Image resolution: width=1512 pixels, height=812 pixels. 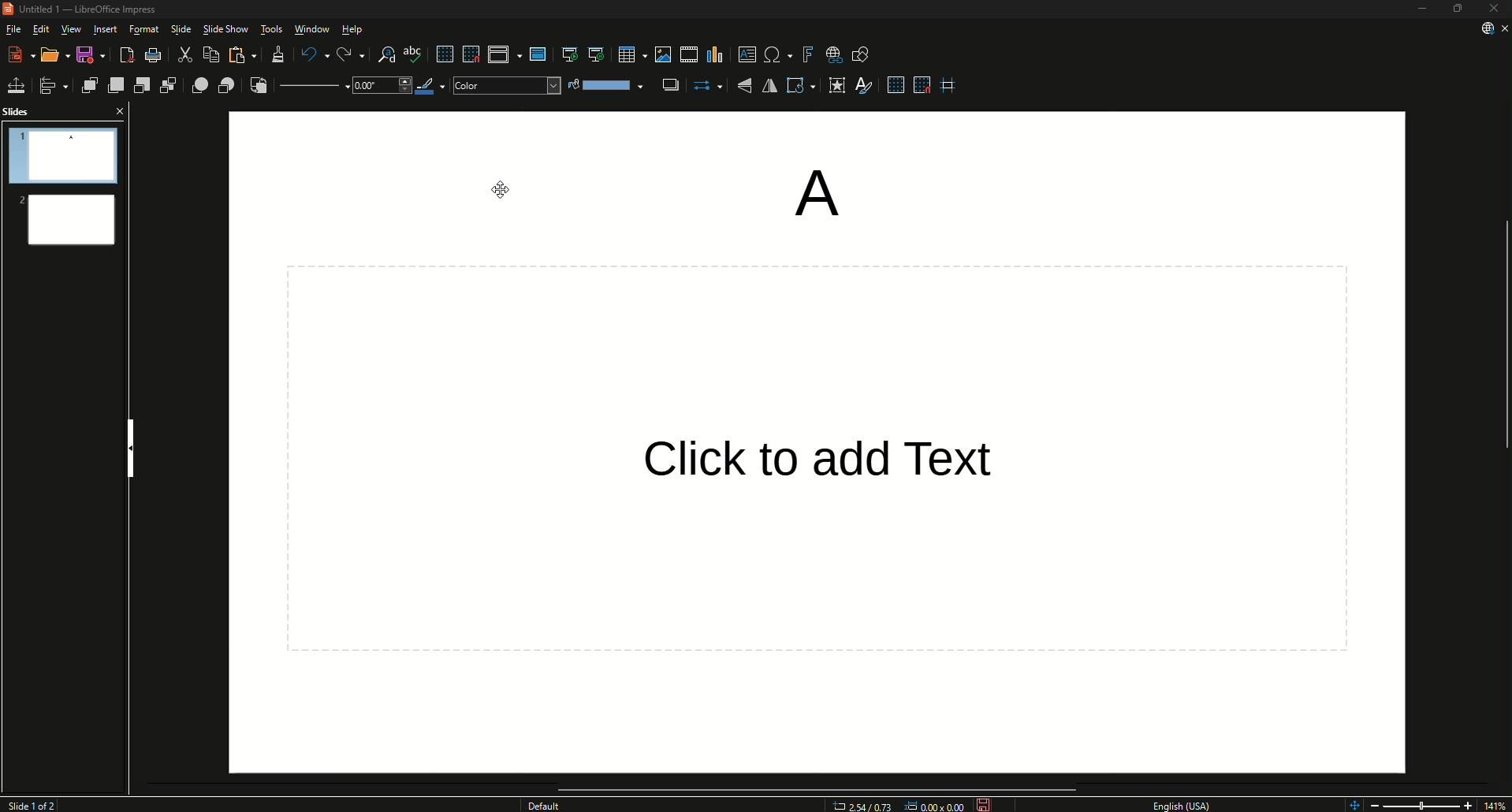 I want to click on Slide 1 Preview, so click(x=65, y=155).